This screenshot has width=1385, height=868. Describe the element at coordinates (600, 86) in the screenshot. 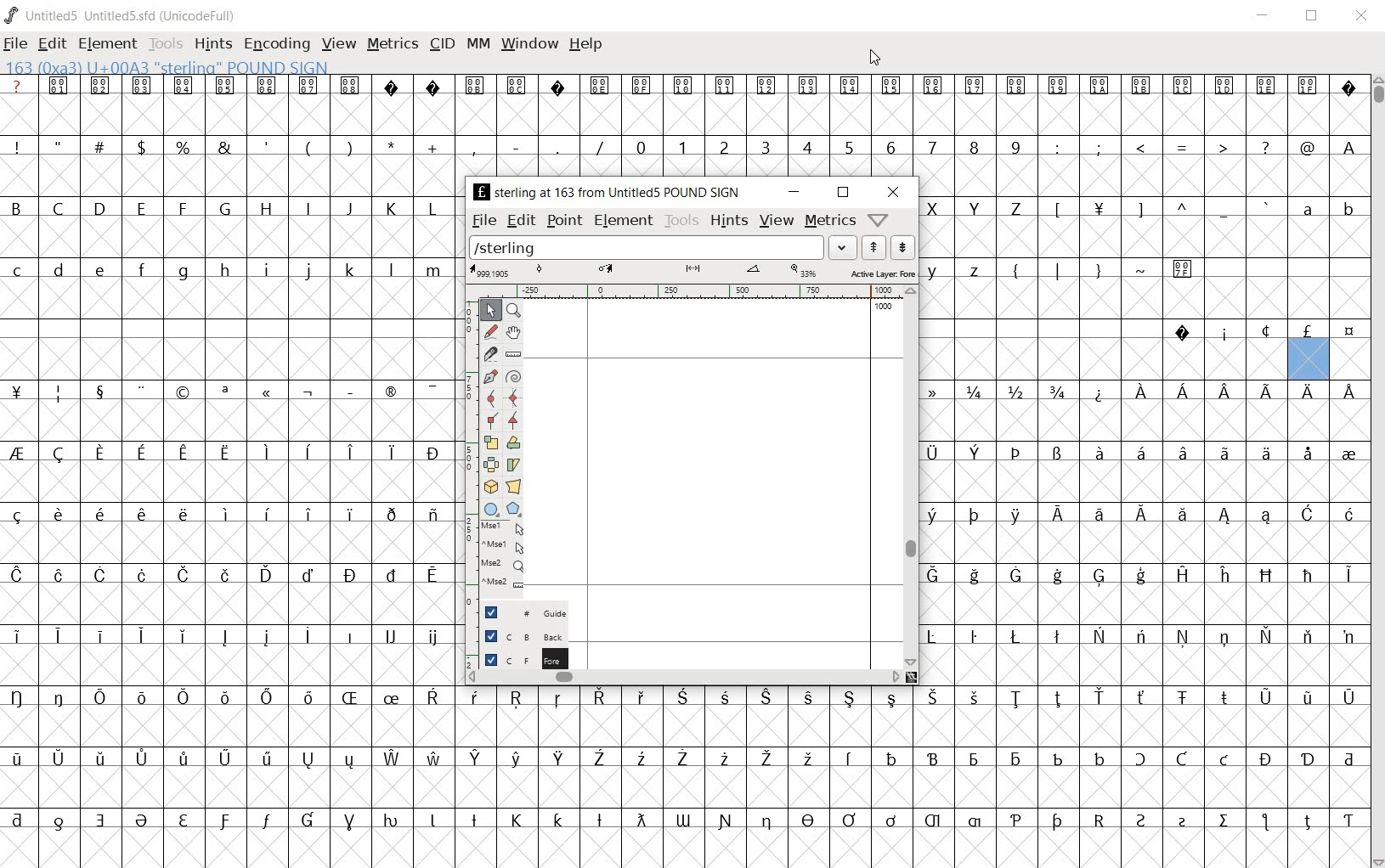

I see `Symbol` at that location.